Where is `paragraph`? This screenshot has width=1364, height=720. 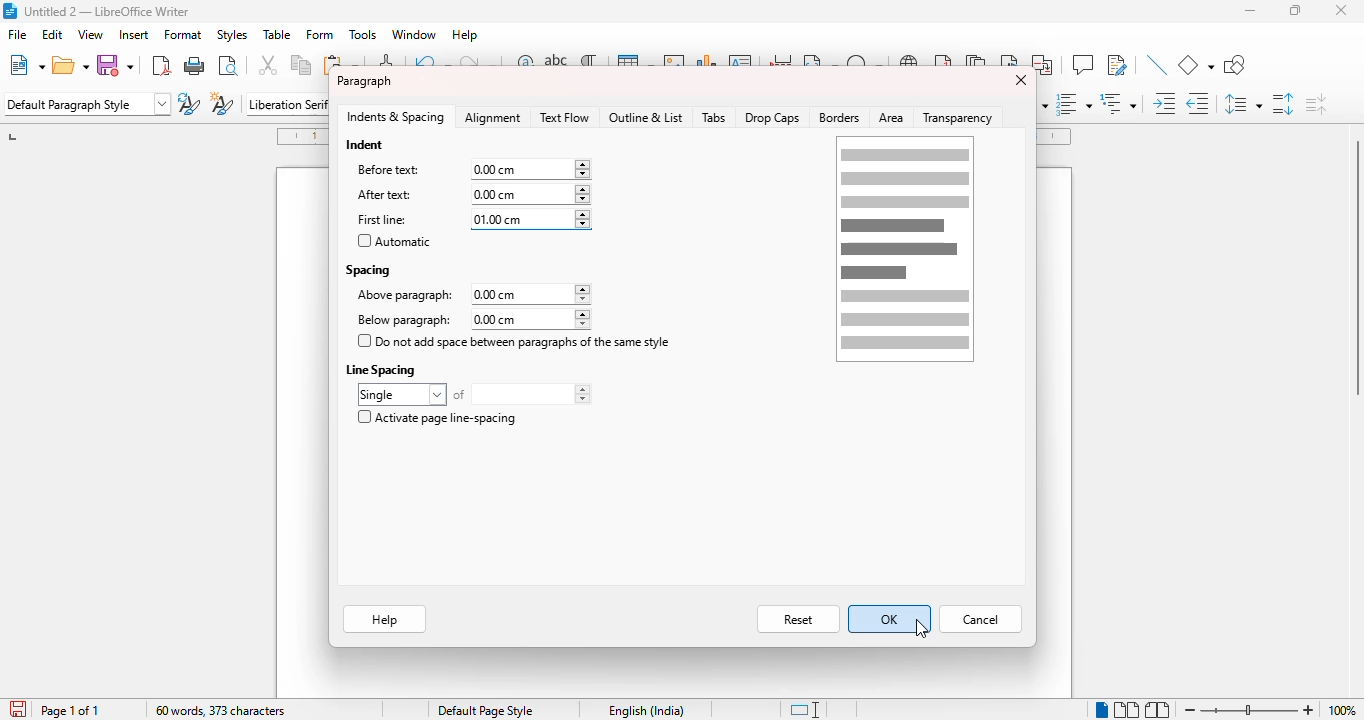
paragraph is located at coordinates (364, 81).